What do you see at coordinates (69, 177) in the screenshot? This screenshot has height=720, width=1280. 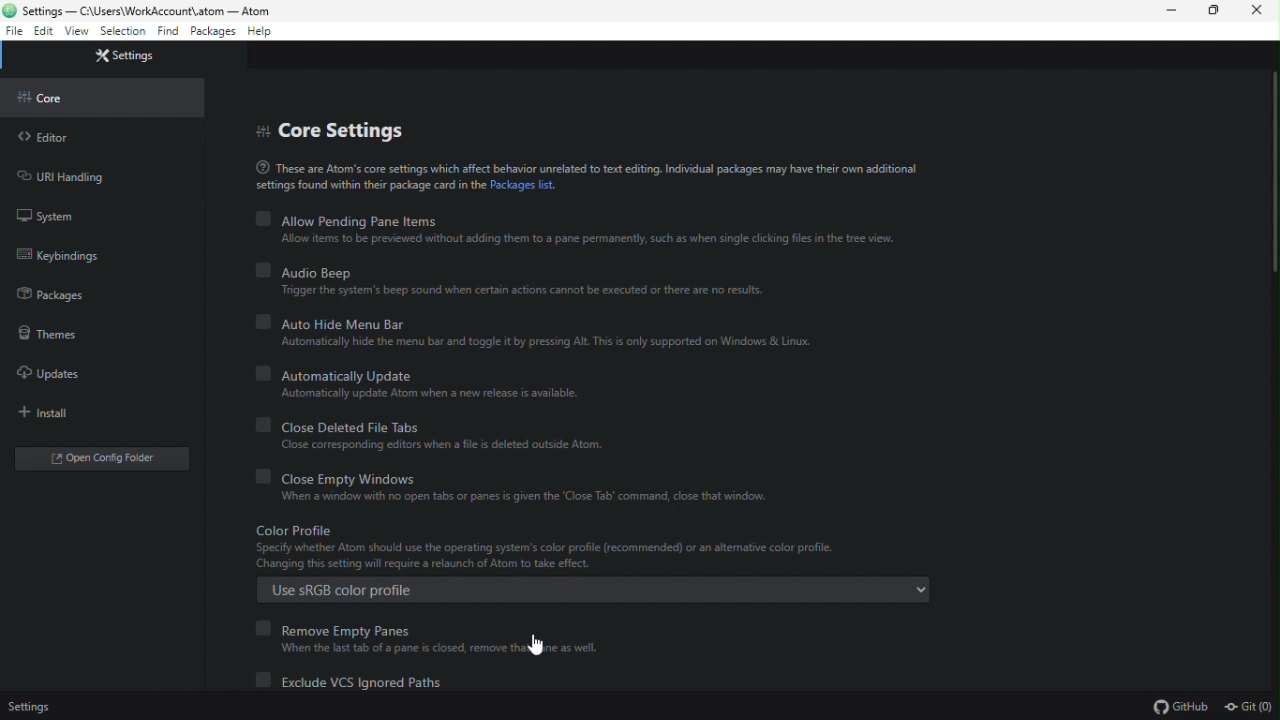 I see `URL handling` at bounding box center [69, 177].